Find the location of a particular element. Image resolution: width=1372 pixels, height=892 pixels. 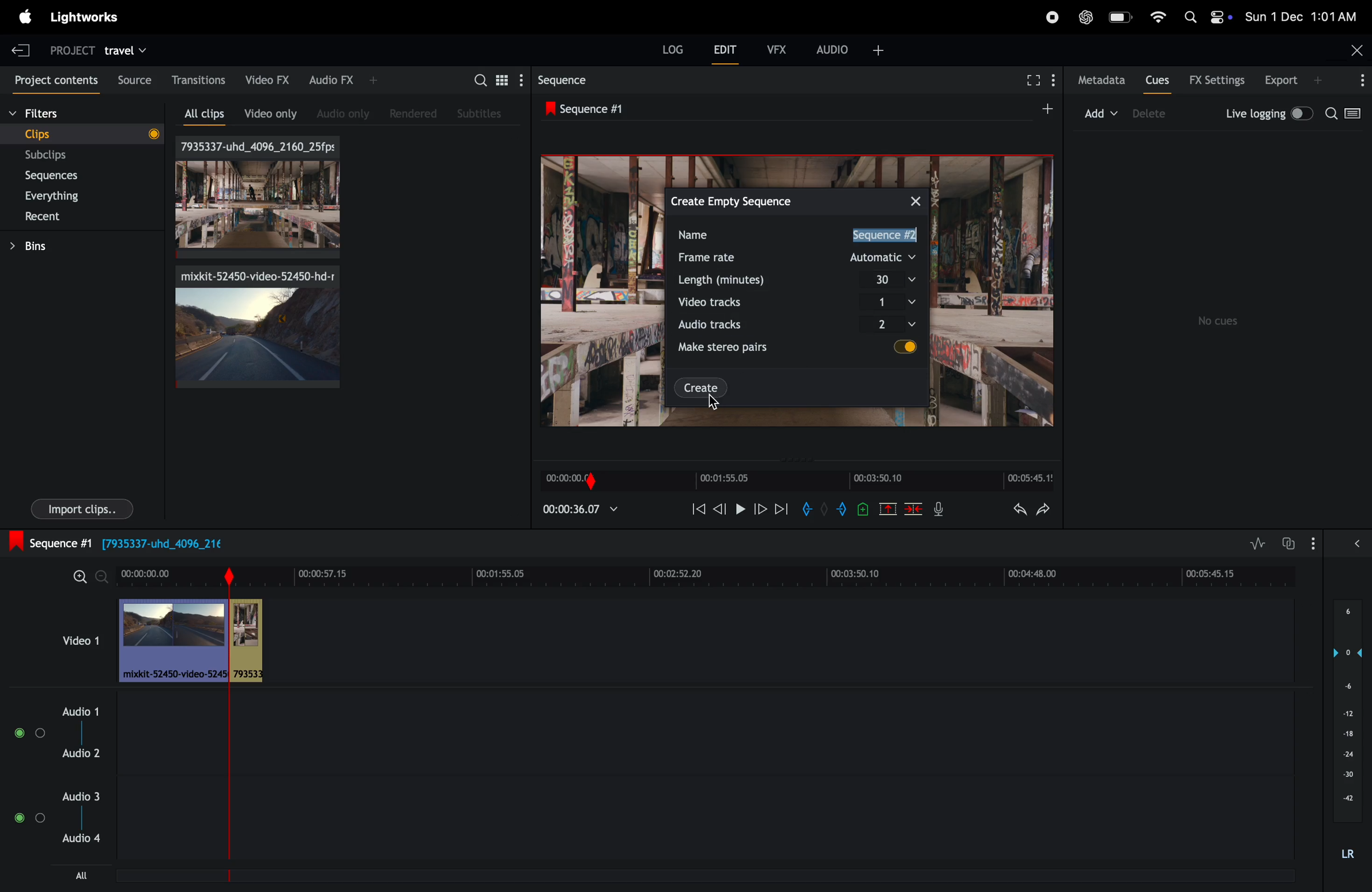

fullscreen is located at coordinates (1036, 80).